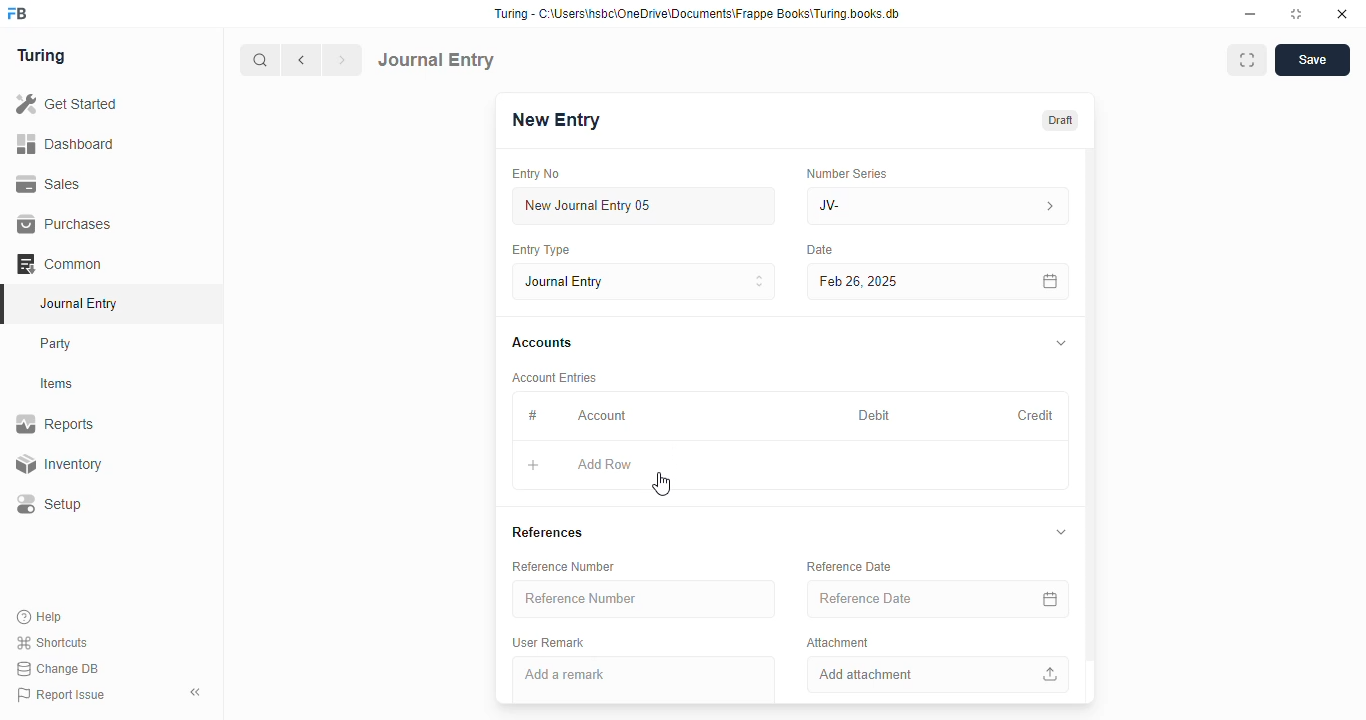 The image size is (1366, 720). Describe the element at coordinates (42, 57) in the screenshot. I see `turing` at that location.